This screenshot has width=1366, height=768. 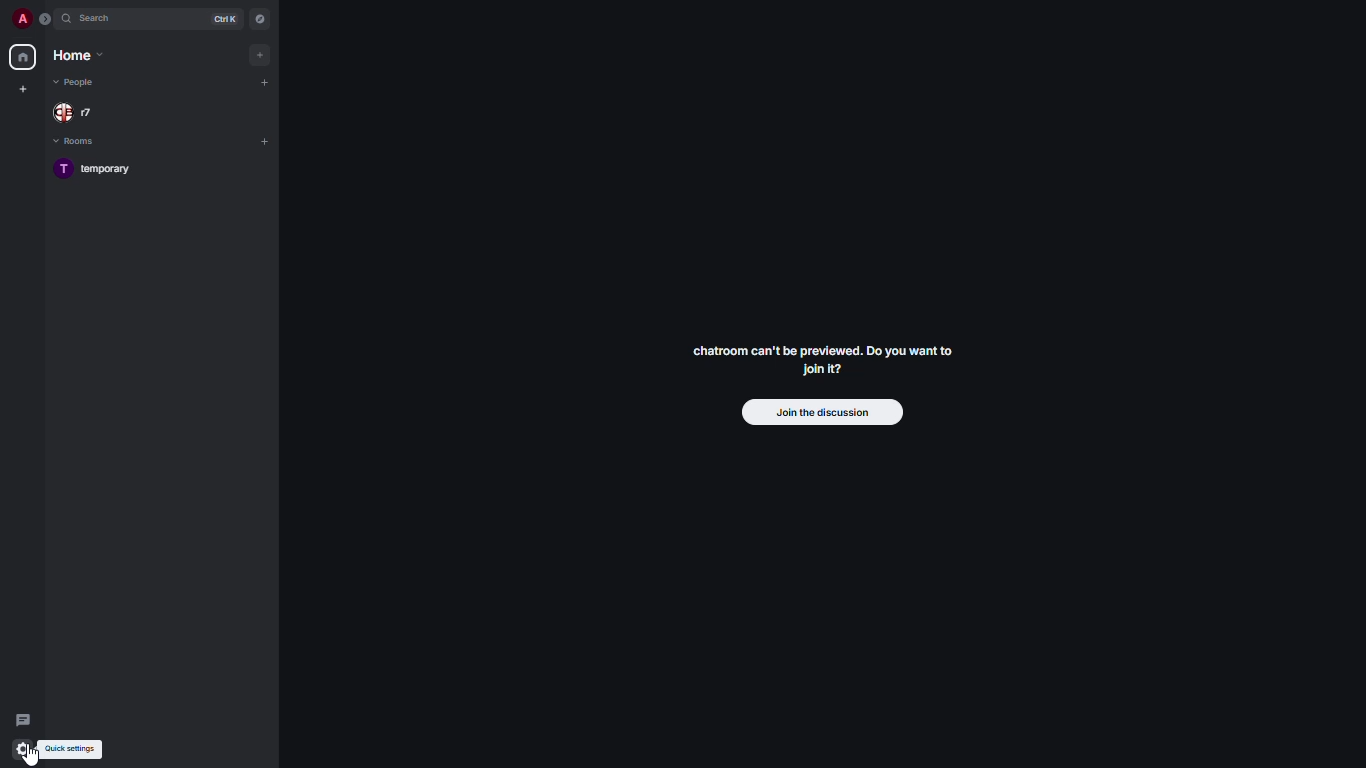 What do you see at coordinates (79, 55) in the screenshot?
I see `home` at bounding box center [79, 55].